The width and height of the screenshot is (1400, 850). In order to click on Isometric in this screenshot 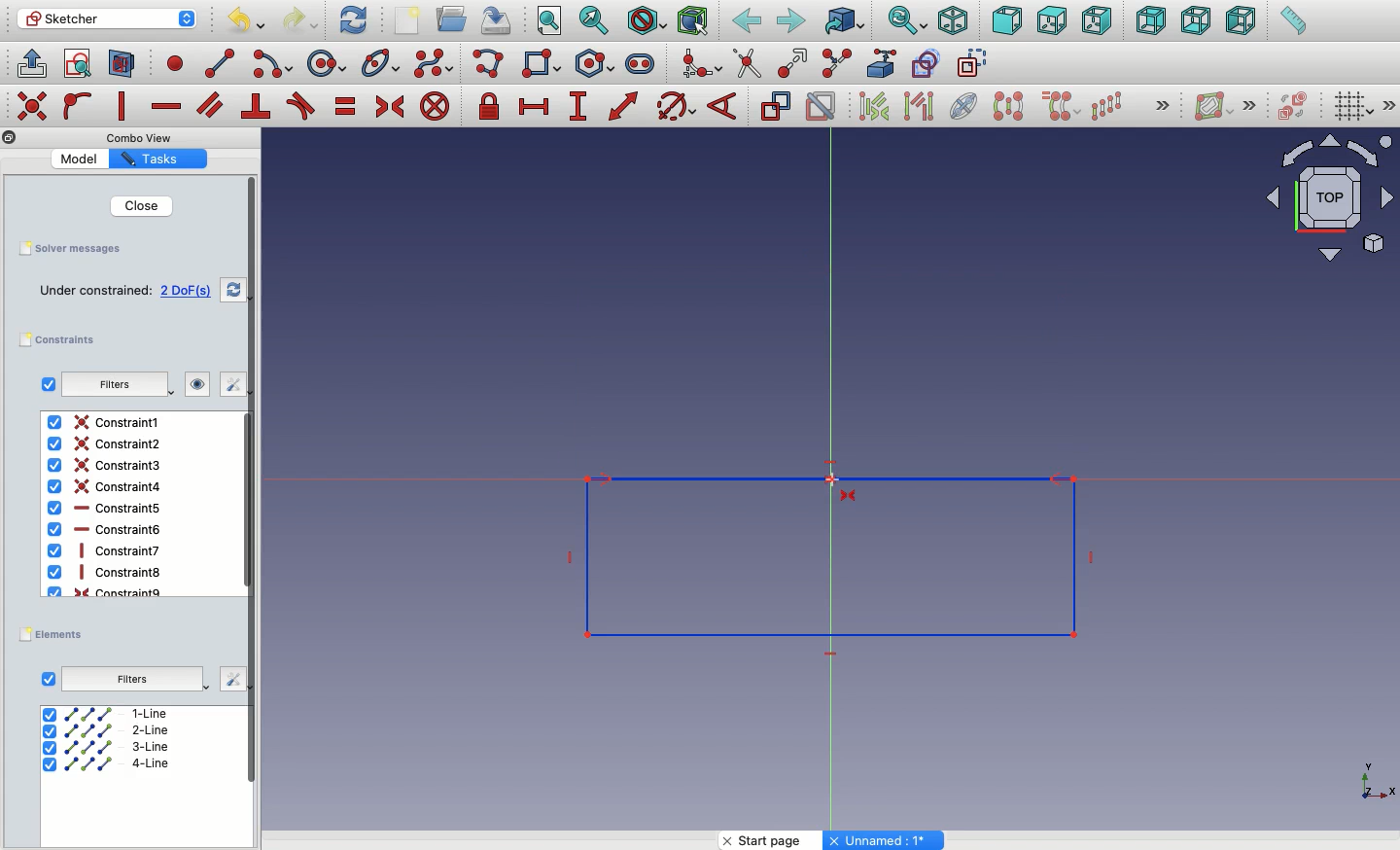, I will do `click(952, 22)`.